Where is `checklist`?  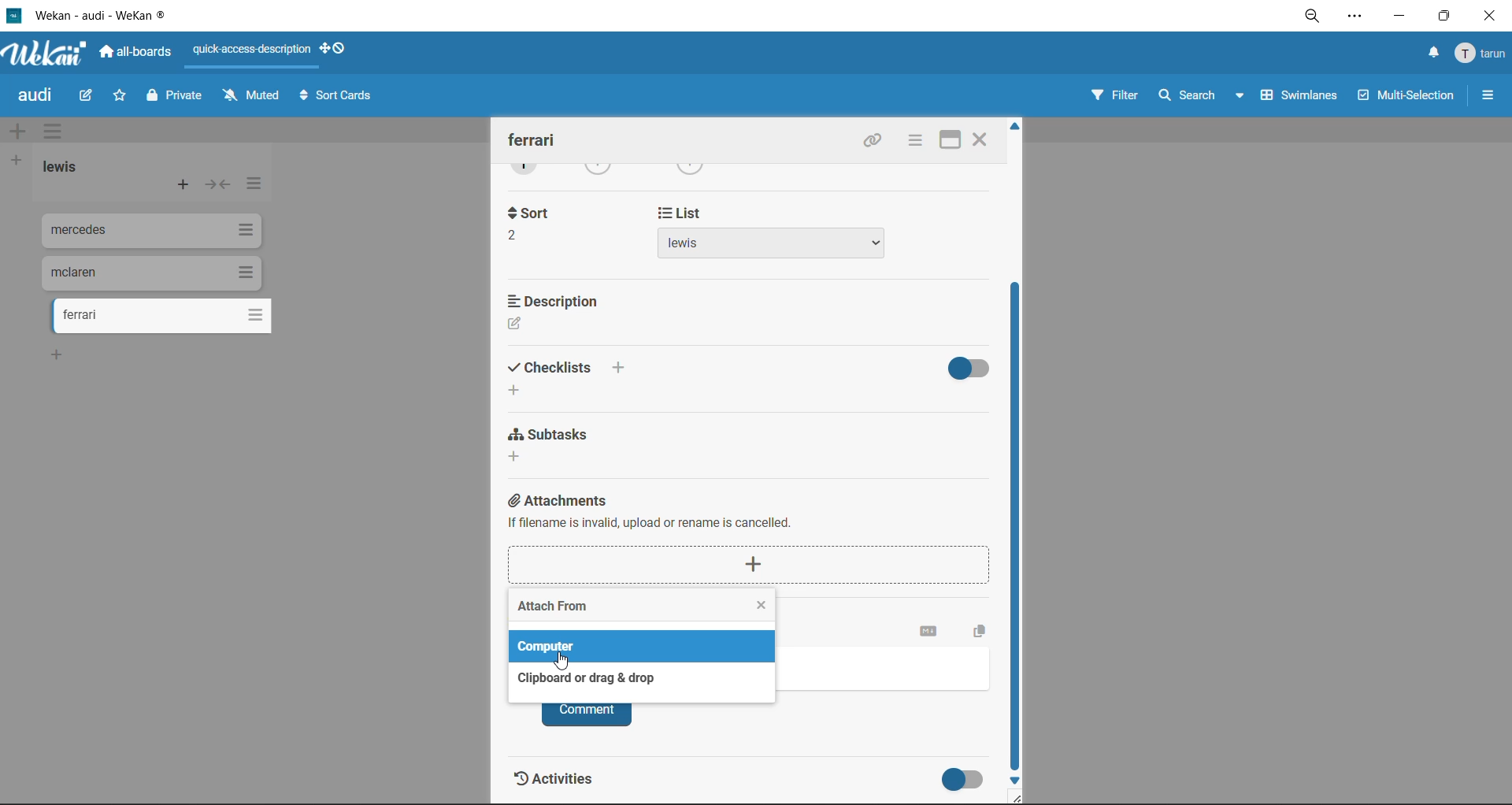
checklist is located at coordinates (569, 376).